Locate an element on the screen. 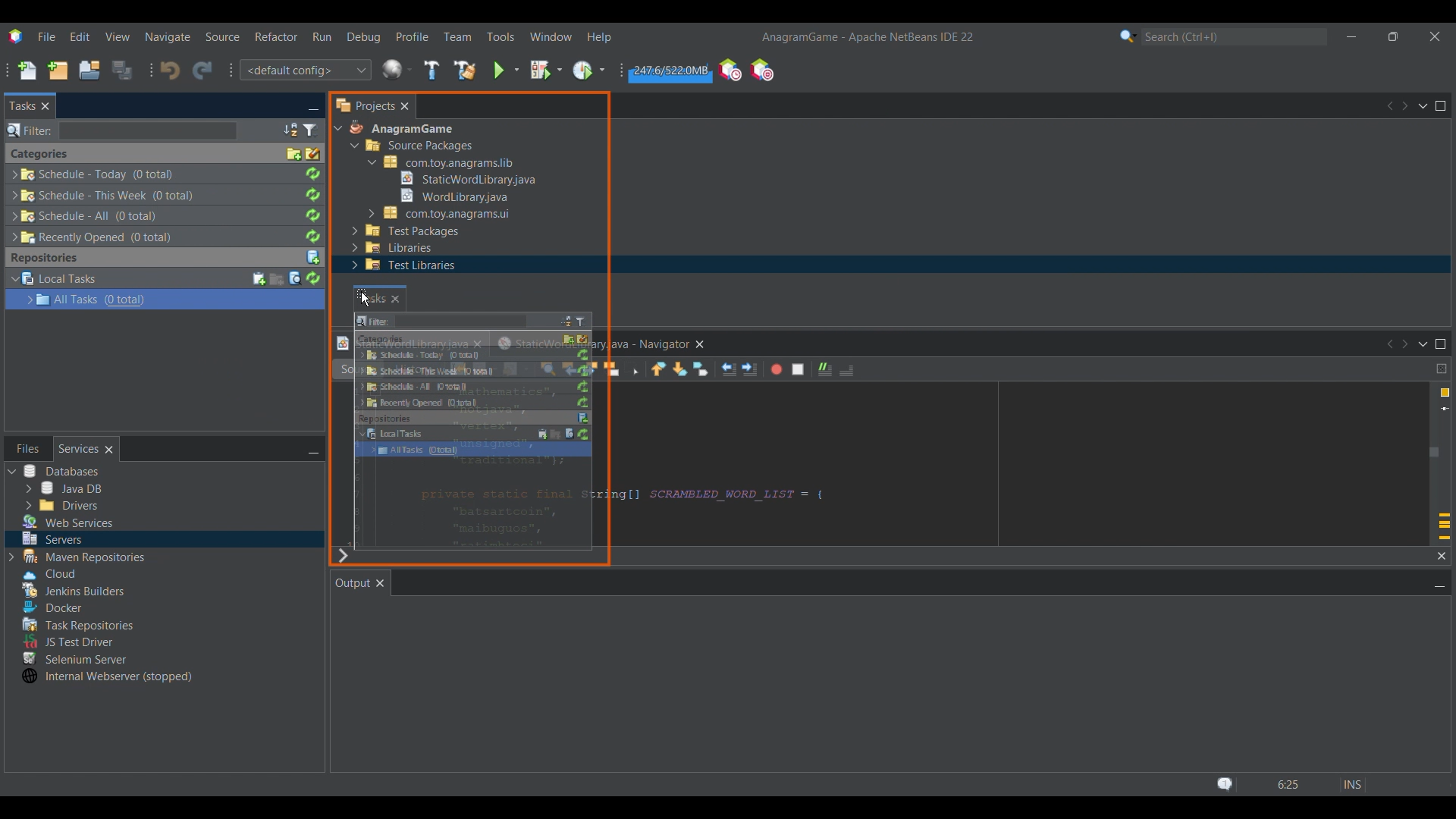  Search is located at coordinates (1234, 36).